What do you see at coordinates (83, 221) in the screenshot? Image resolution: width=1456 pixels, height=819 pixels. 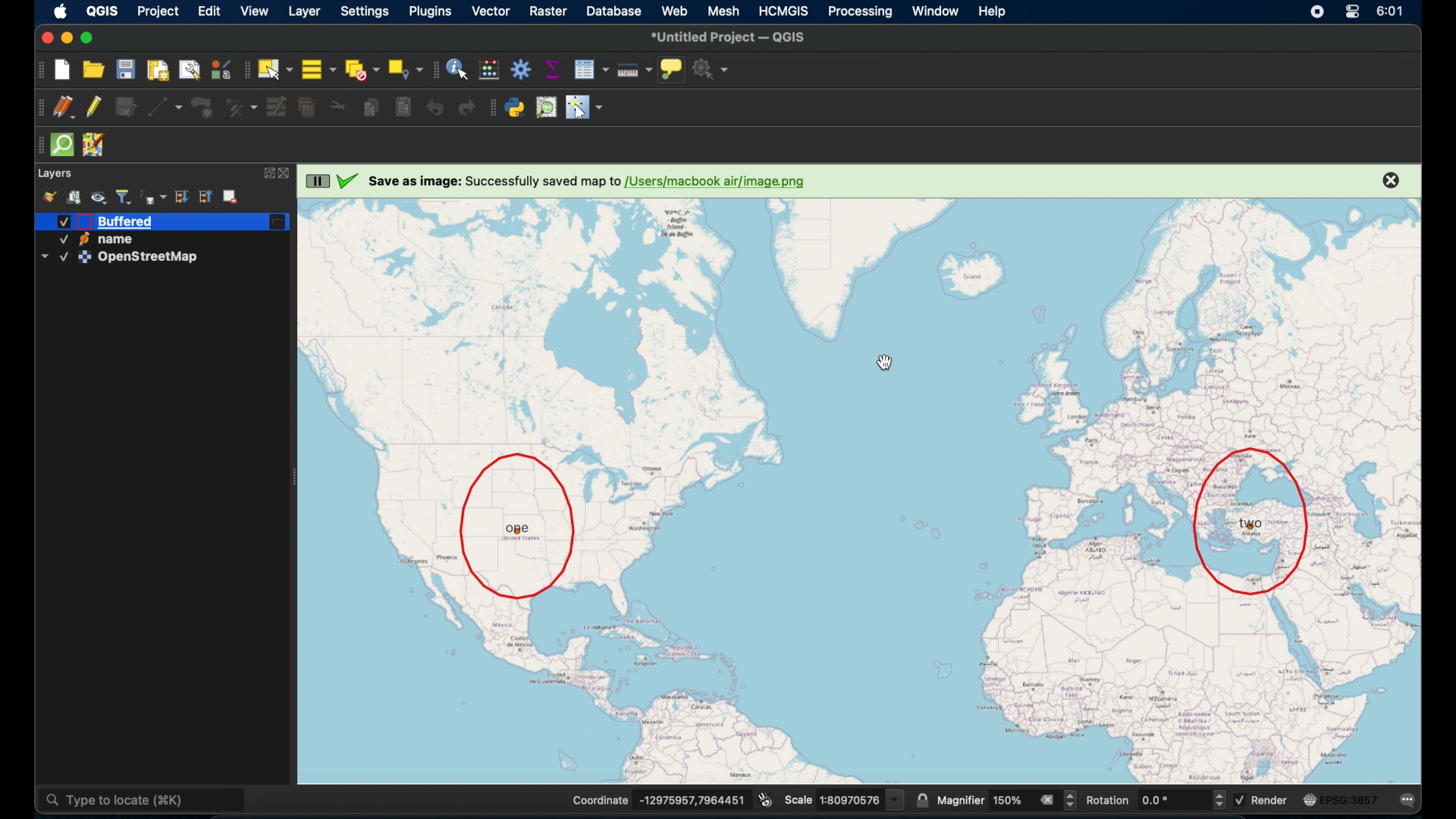 I see `icon` at bounding box center [83, 221].